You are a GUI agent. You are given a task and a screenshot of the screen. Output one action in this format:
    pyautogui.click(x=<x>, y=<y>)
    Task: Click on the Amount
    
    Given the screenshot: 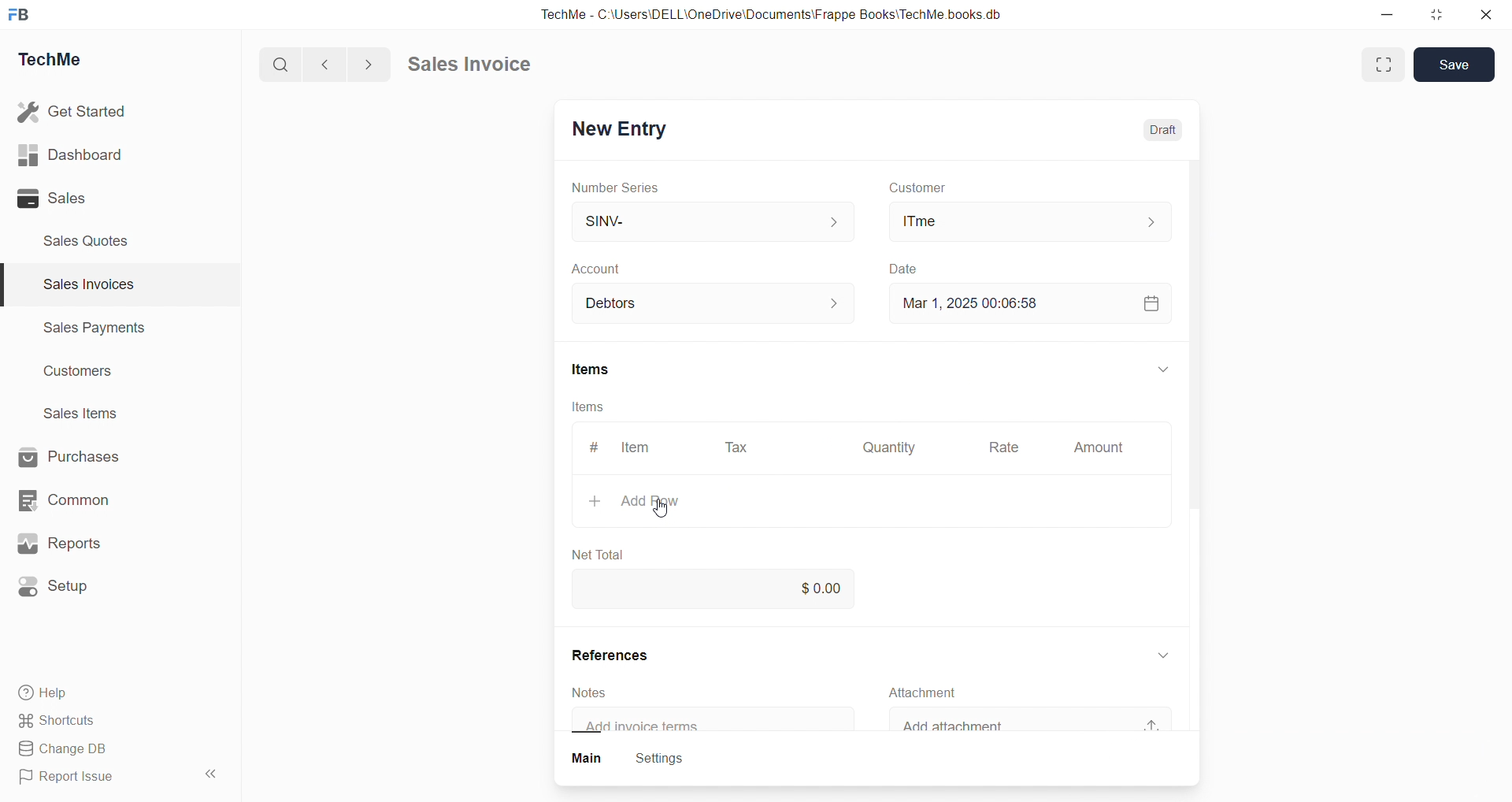 What is the action you would take?
    pyautogui.click(x=1098, y=448)
    